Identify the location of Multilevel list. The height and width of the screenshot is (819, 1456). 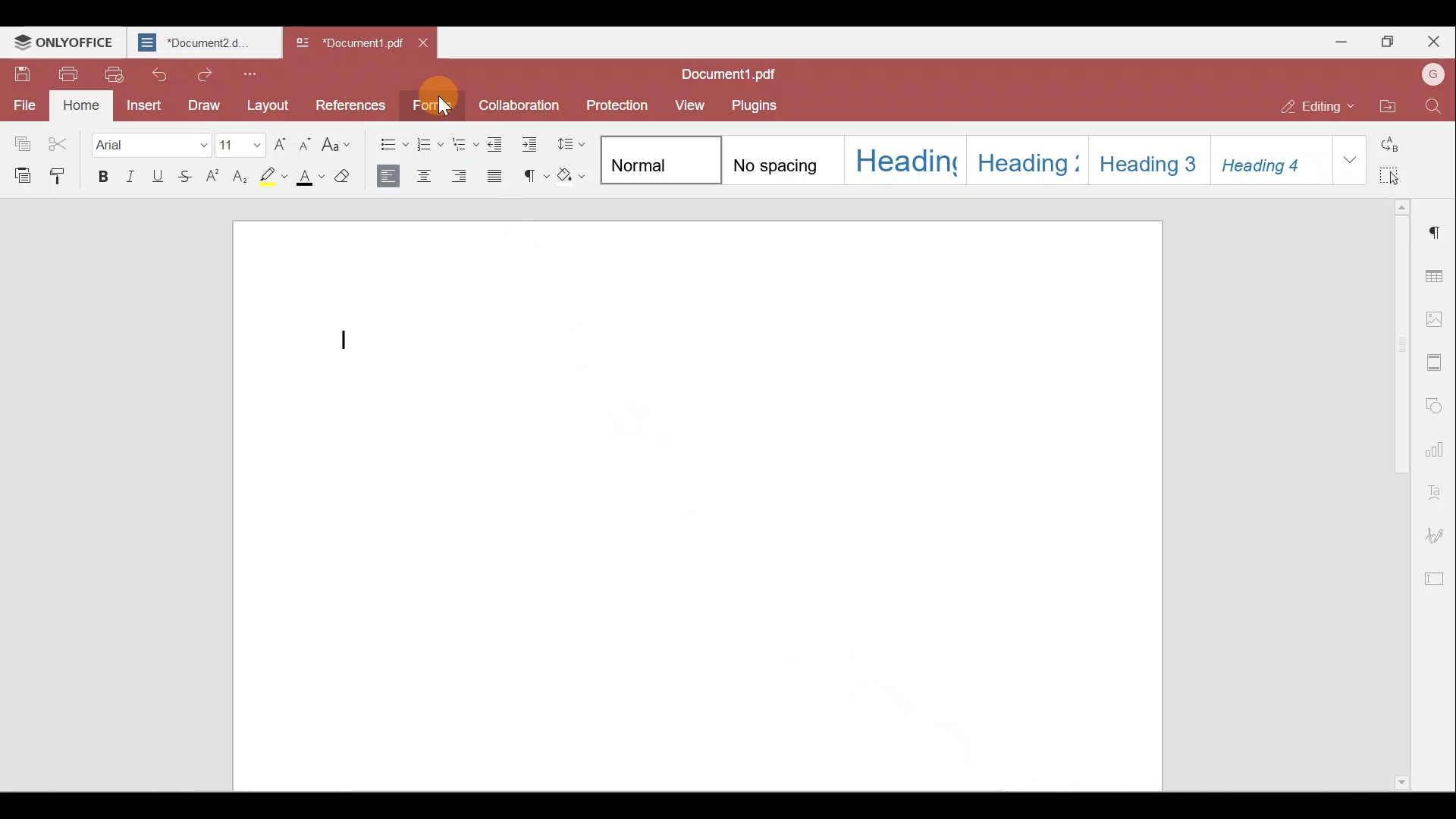
(466, 142).